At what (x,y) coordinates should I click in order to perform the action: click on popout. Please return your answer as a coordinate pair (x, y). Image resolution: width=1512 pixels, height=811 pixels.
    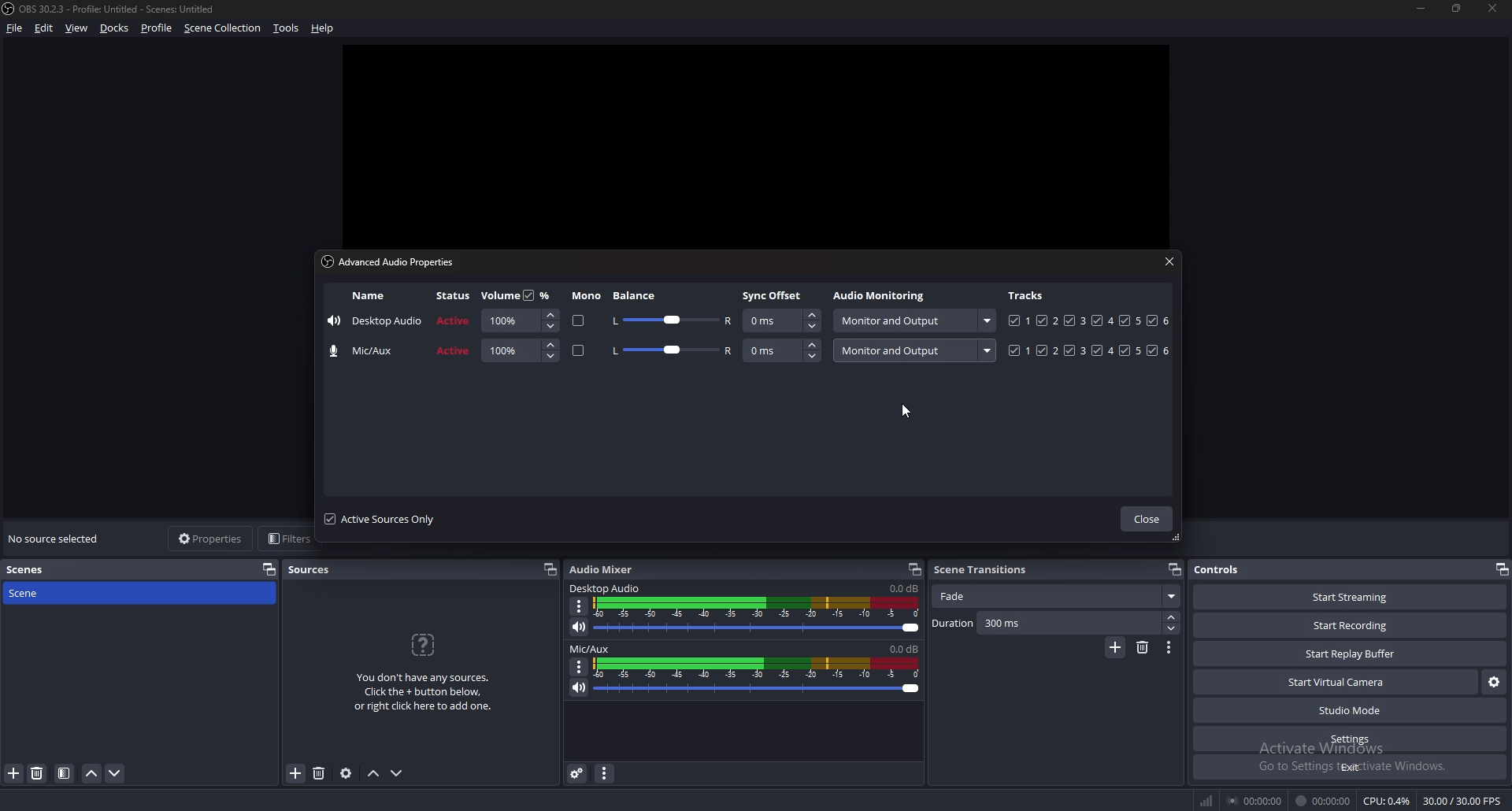
    Looking at the image, I should click on (1174, 568).